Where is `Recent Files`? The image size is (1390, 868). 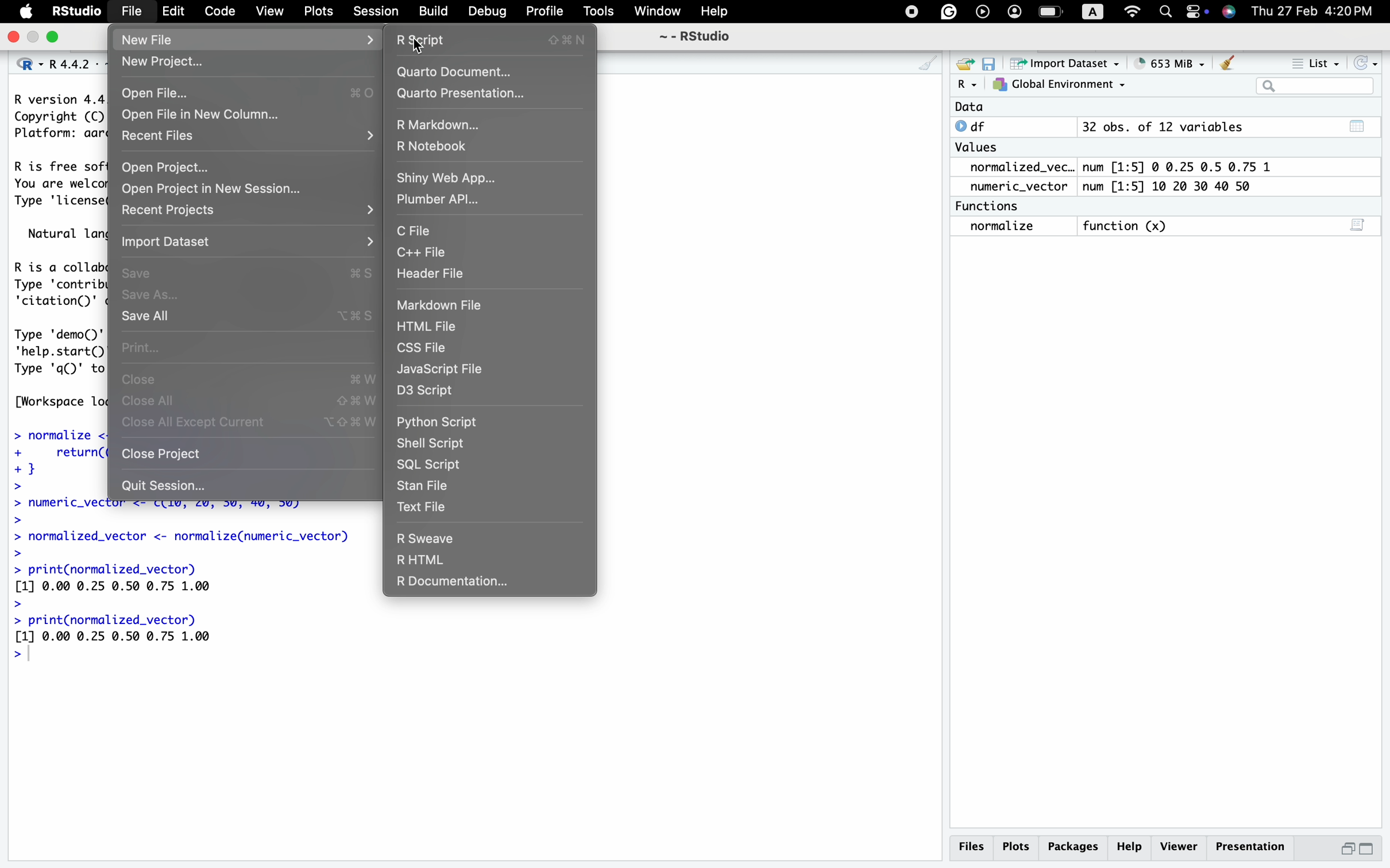 Recent Files is located at coordinates (163, 138).